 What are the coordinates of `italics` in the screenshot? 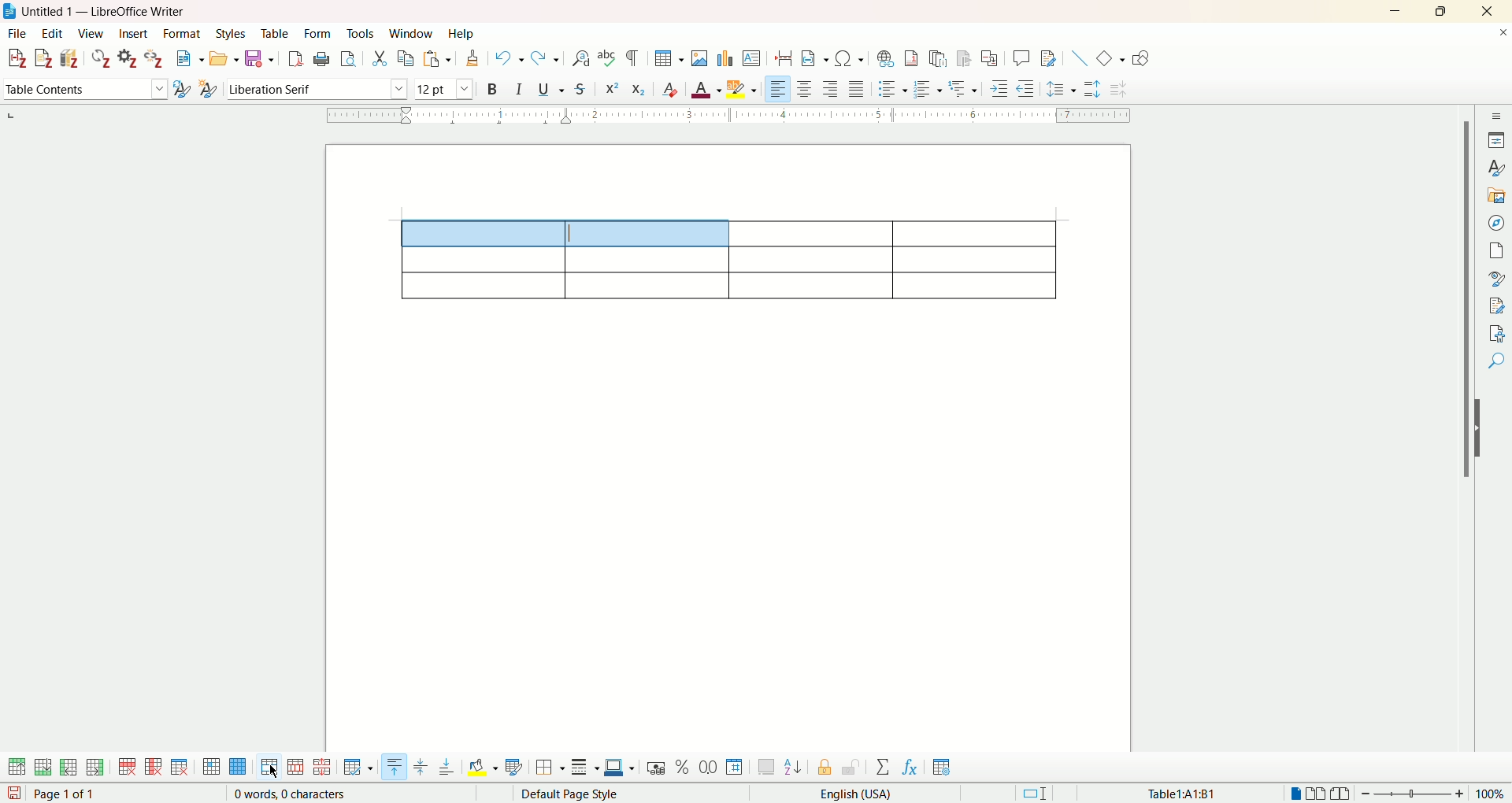 It's located at (521, 91).